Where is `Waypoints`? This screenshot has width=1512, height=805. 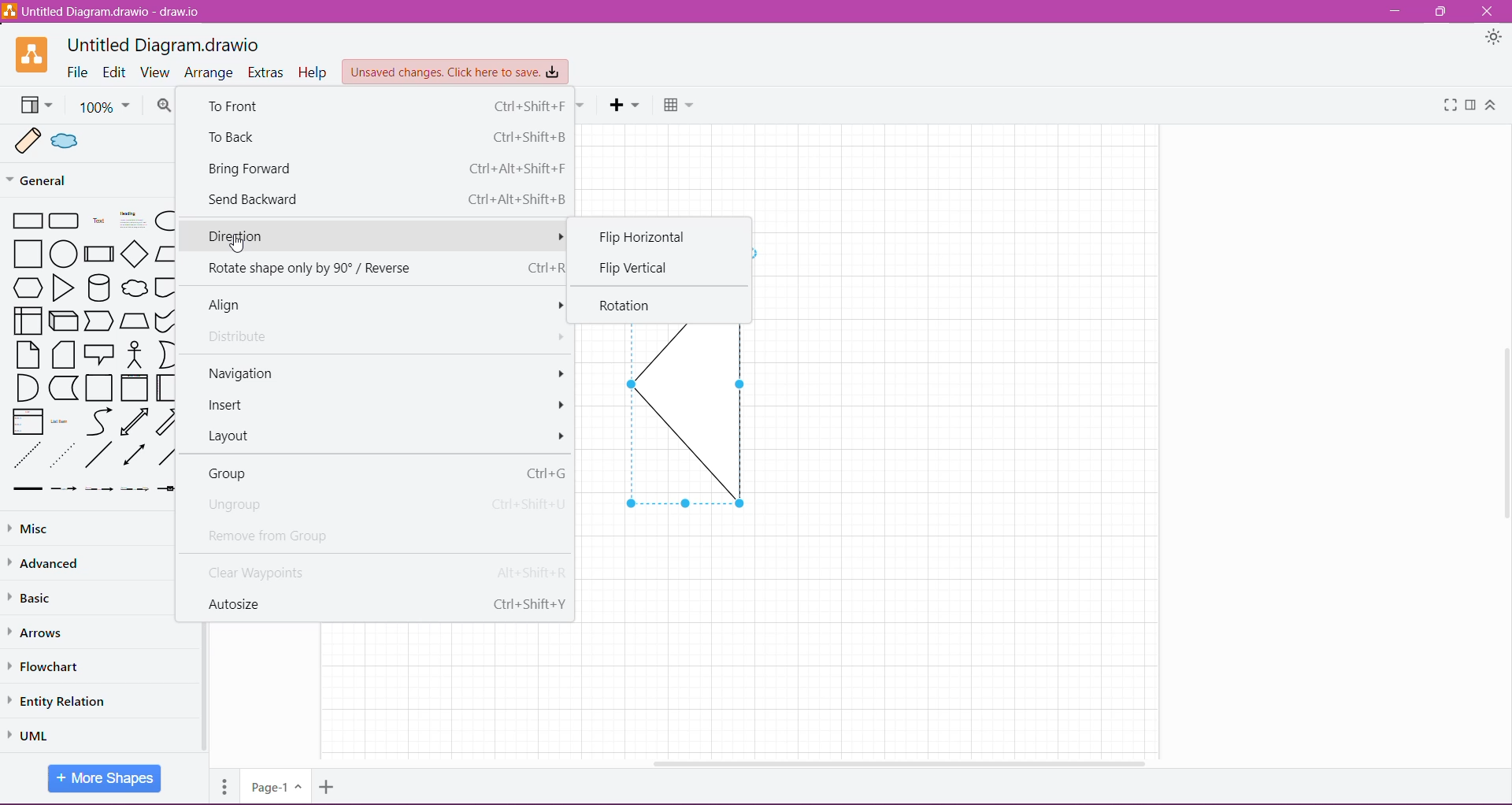
Waypoints is located at coordinates (582, 106).